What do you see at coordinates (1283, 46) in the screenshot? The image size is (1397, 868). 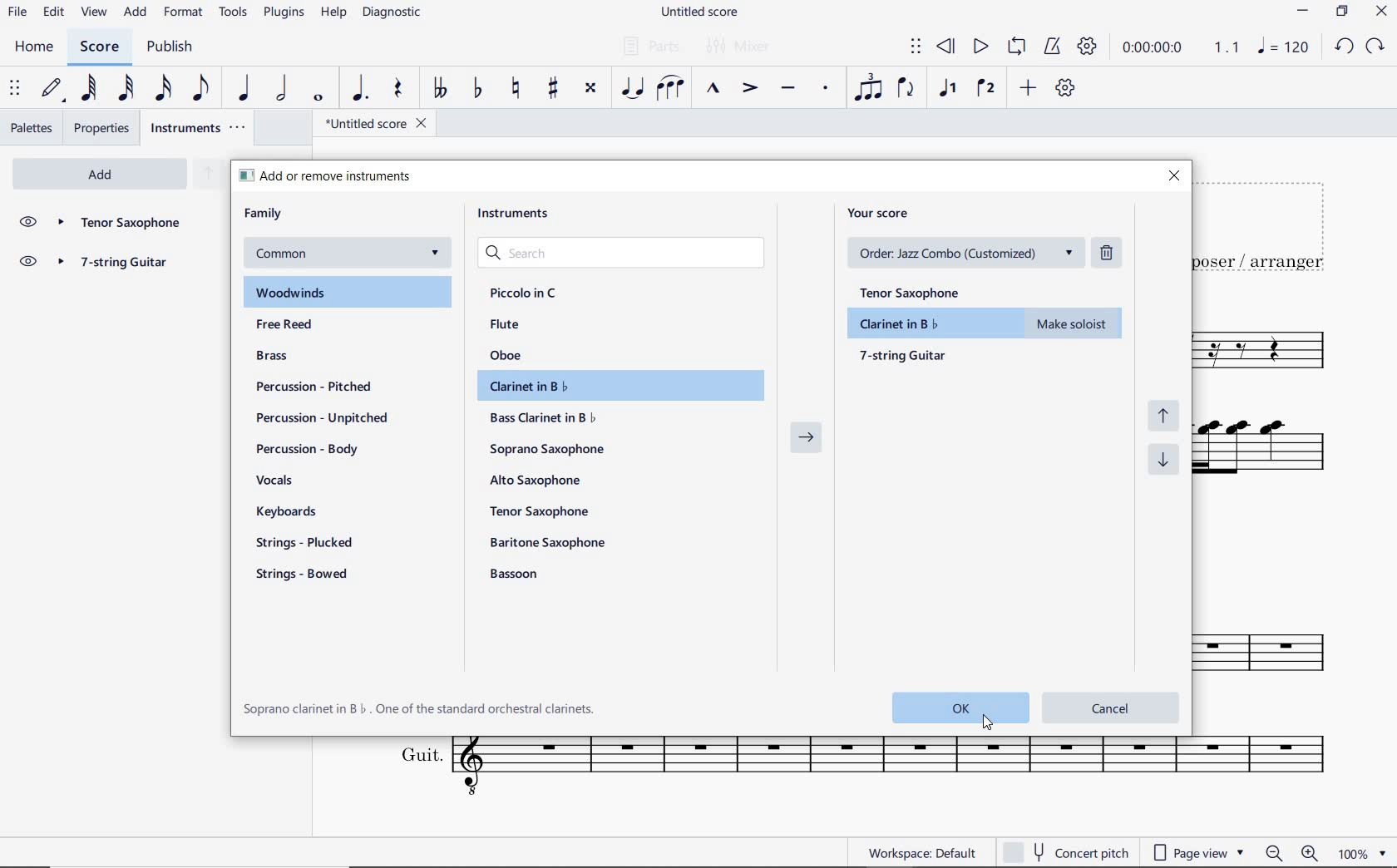 I see `NOTE` at bounding box center [1283, 46].